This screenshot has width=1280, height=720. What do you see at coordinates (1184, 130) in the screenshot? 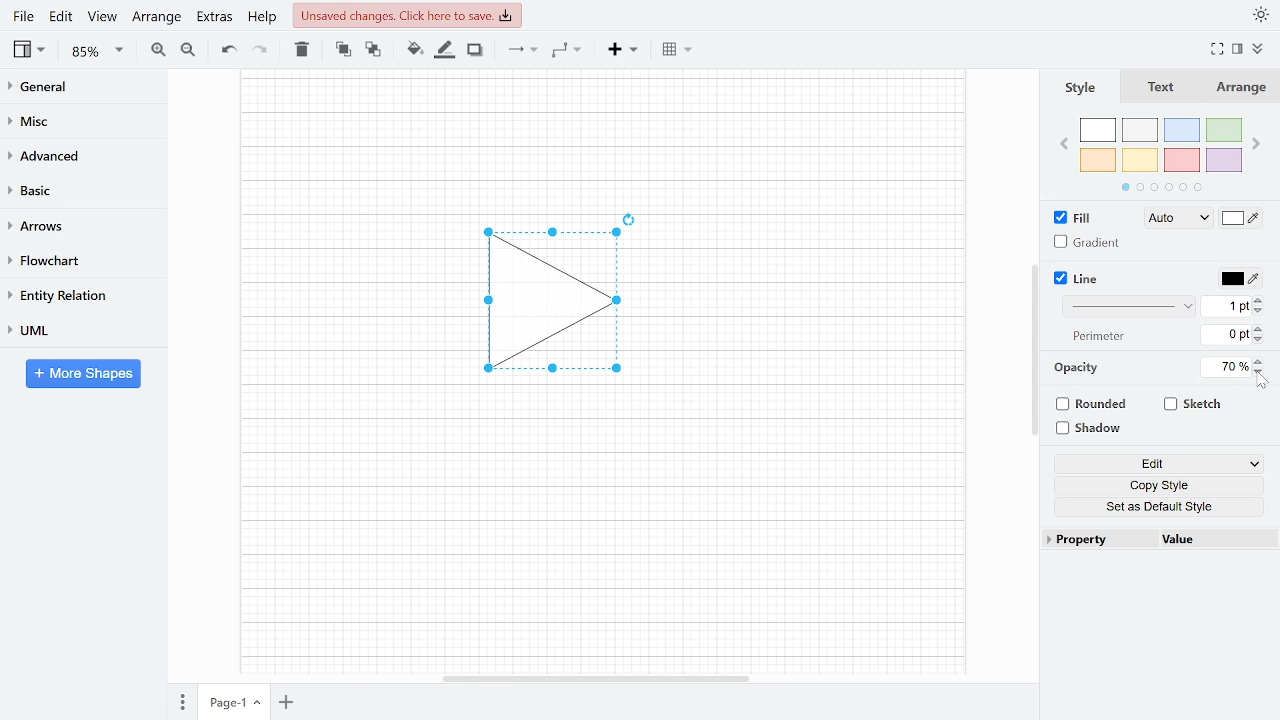
I see `blue` at bounding box center [1184, 130].